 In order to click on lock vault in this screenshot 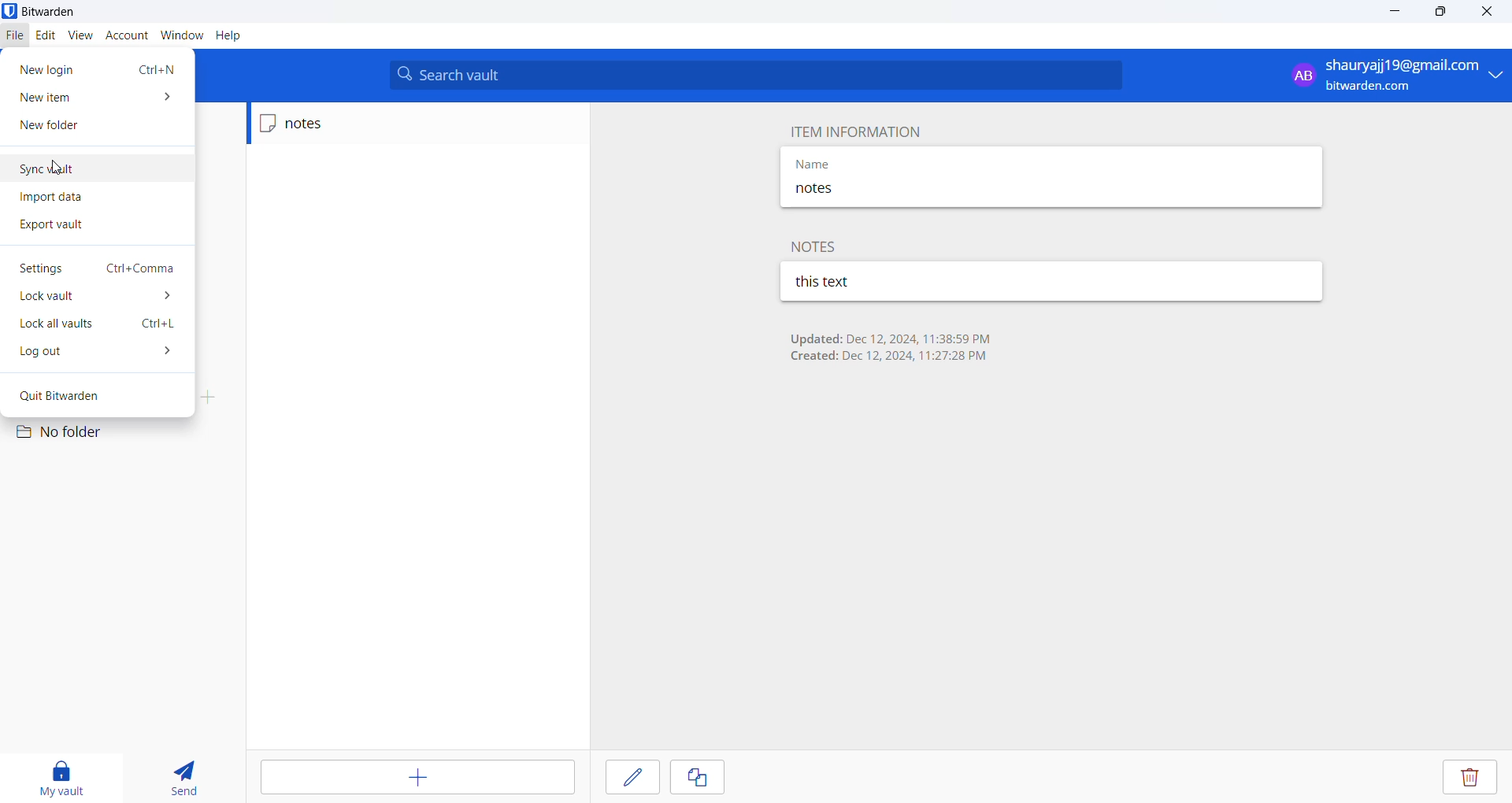, I will do `click(100, 298)`.